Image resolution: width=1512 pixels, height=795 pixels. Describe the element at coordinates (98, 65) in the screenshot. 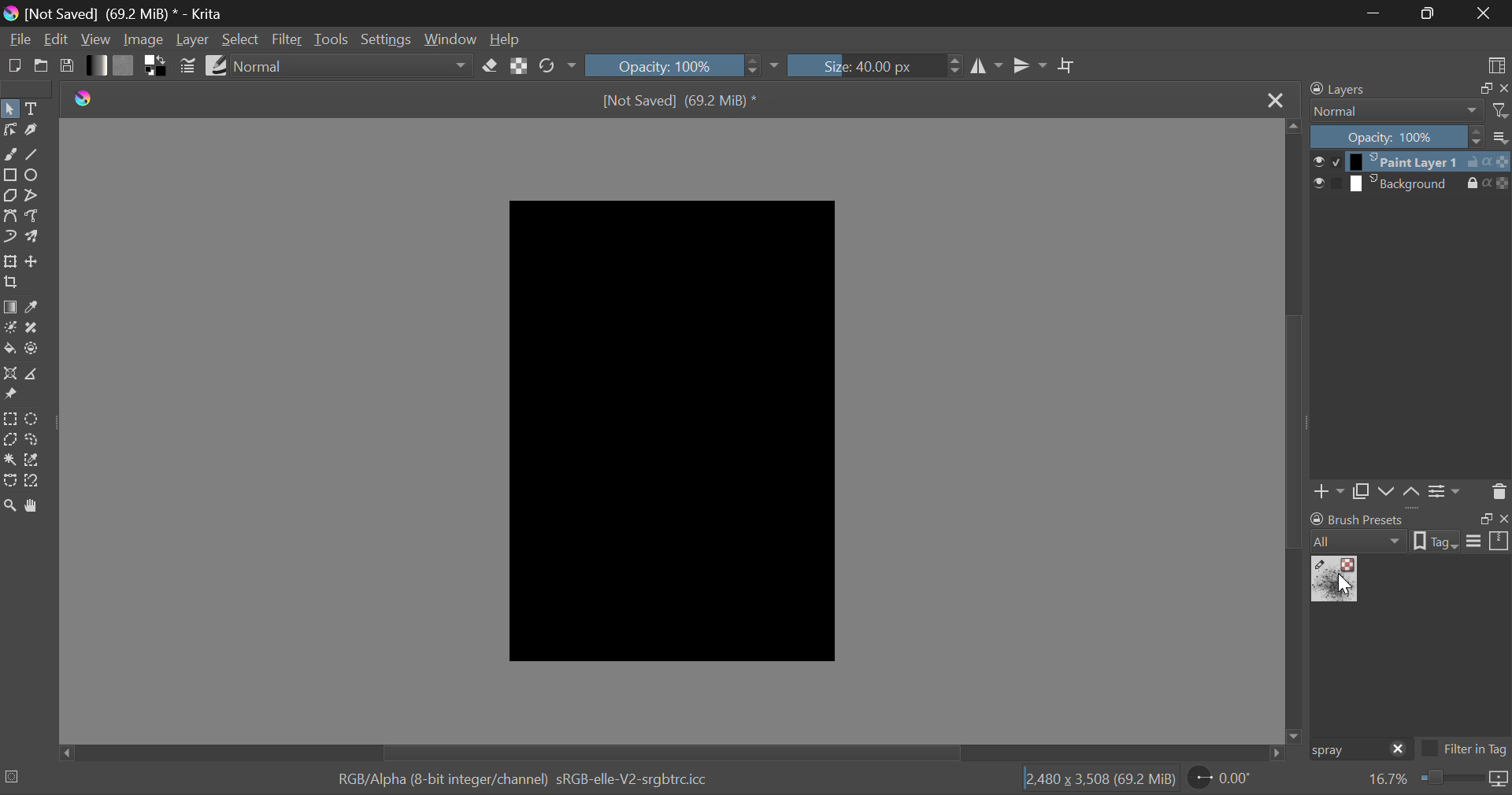

I see `Gradient` at that location.